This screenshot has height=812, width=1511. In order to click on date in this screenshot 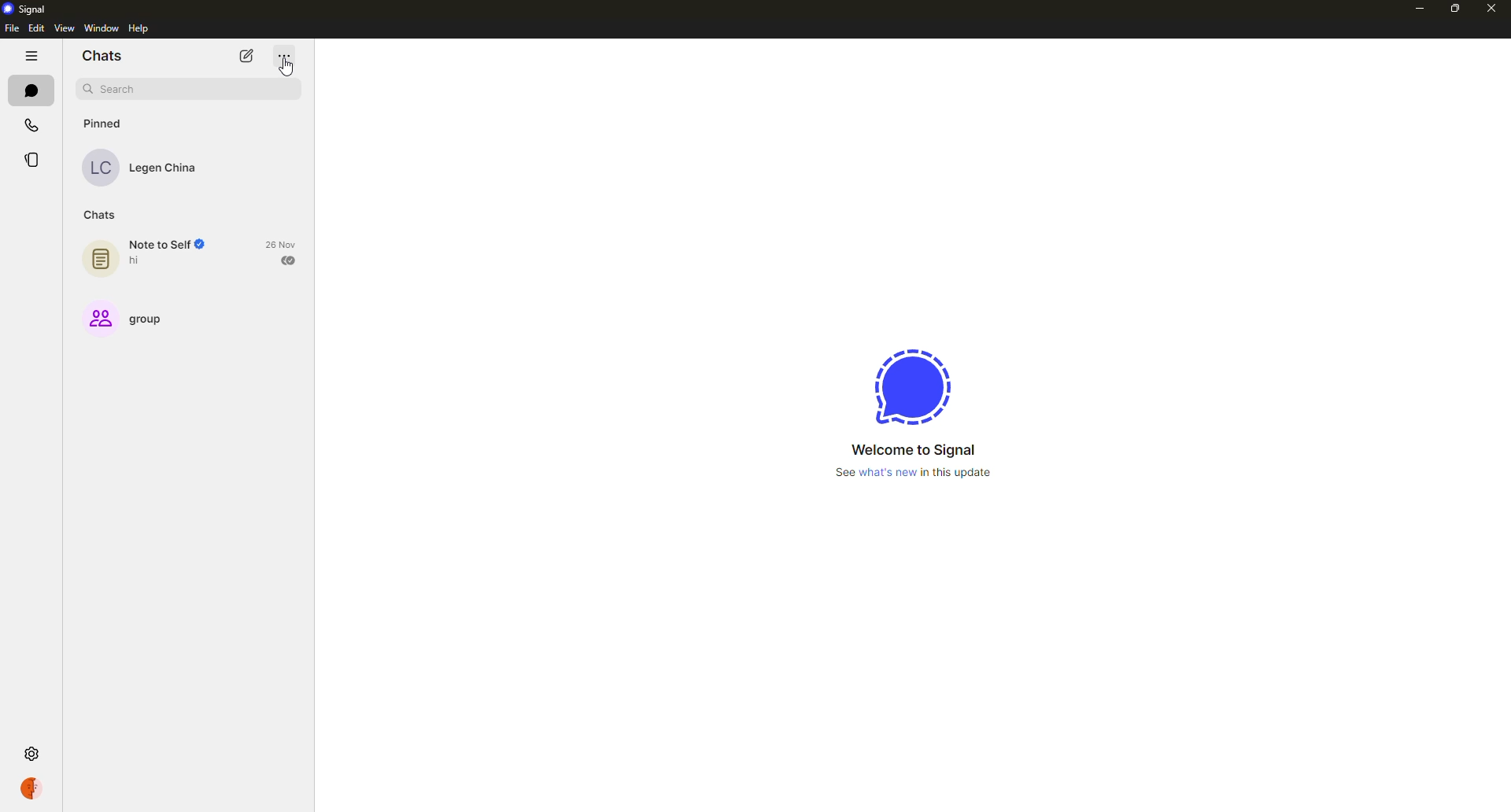, I will do `click(280, 245)`.